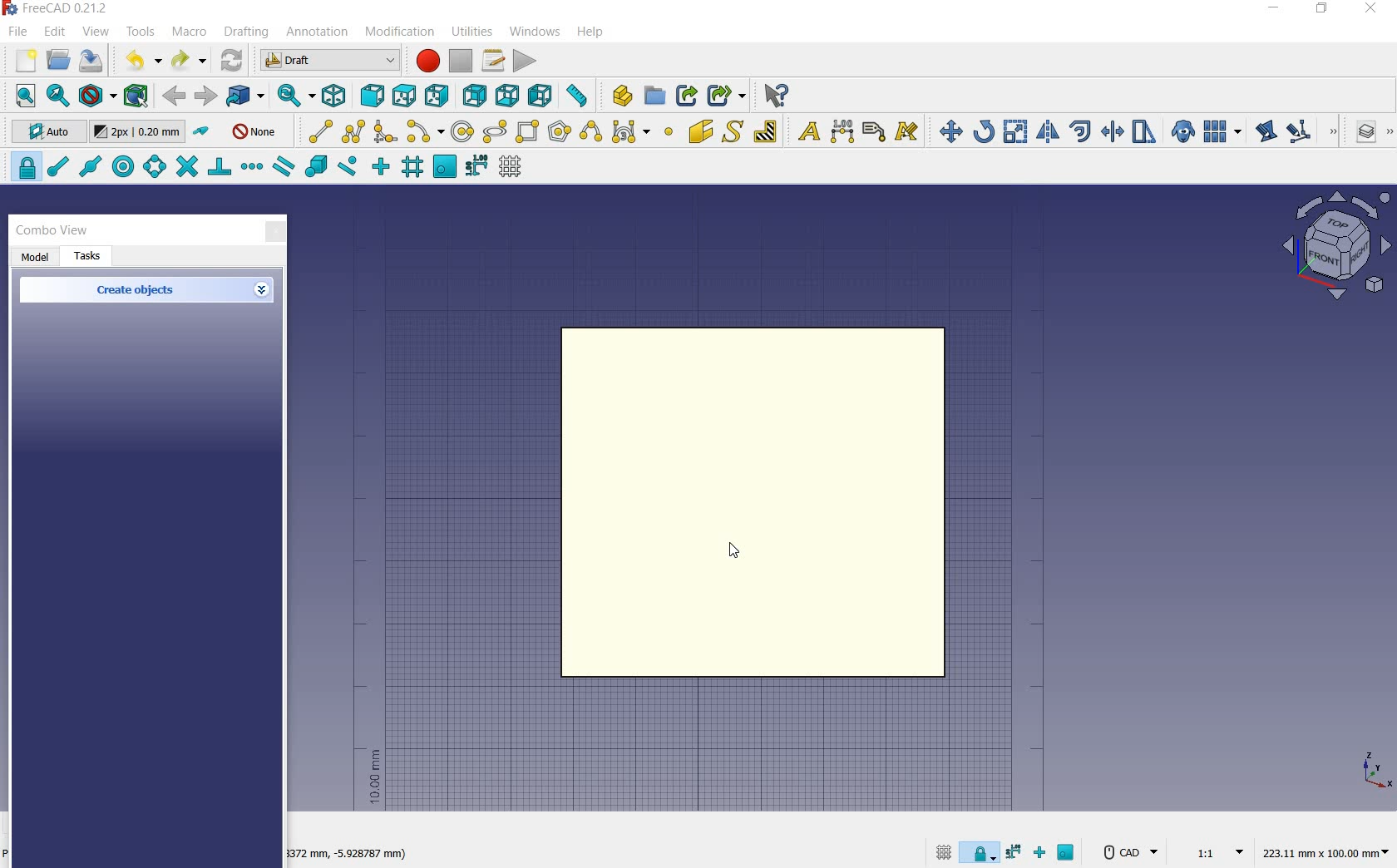  I want to click on array tools, so click(1223, 133).